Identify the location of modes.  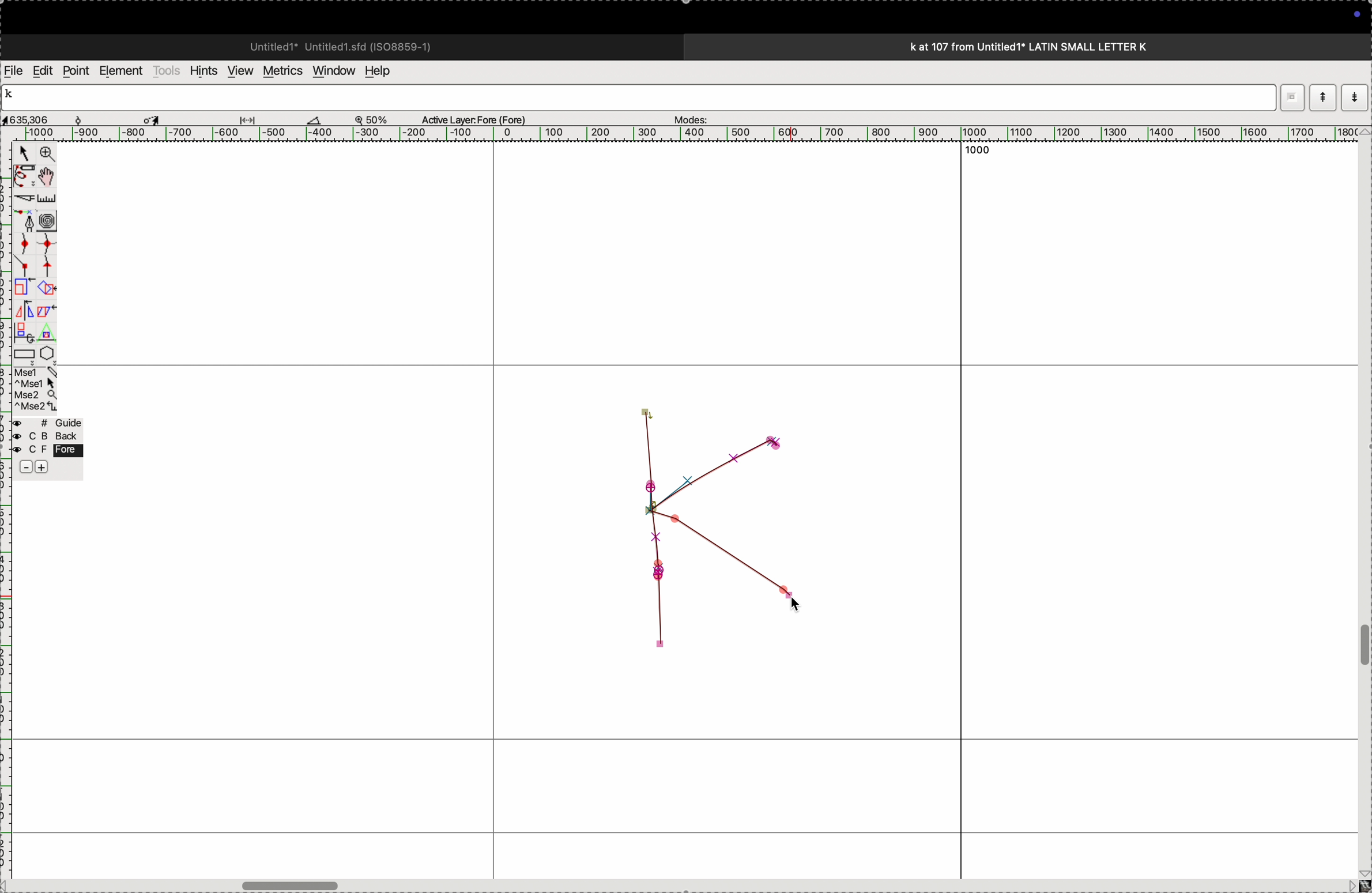
(687, 116).